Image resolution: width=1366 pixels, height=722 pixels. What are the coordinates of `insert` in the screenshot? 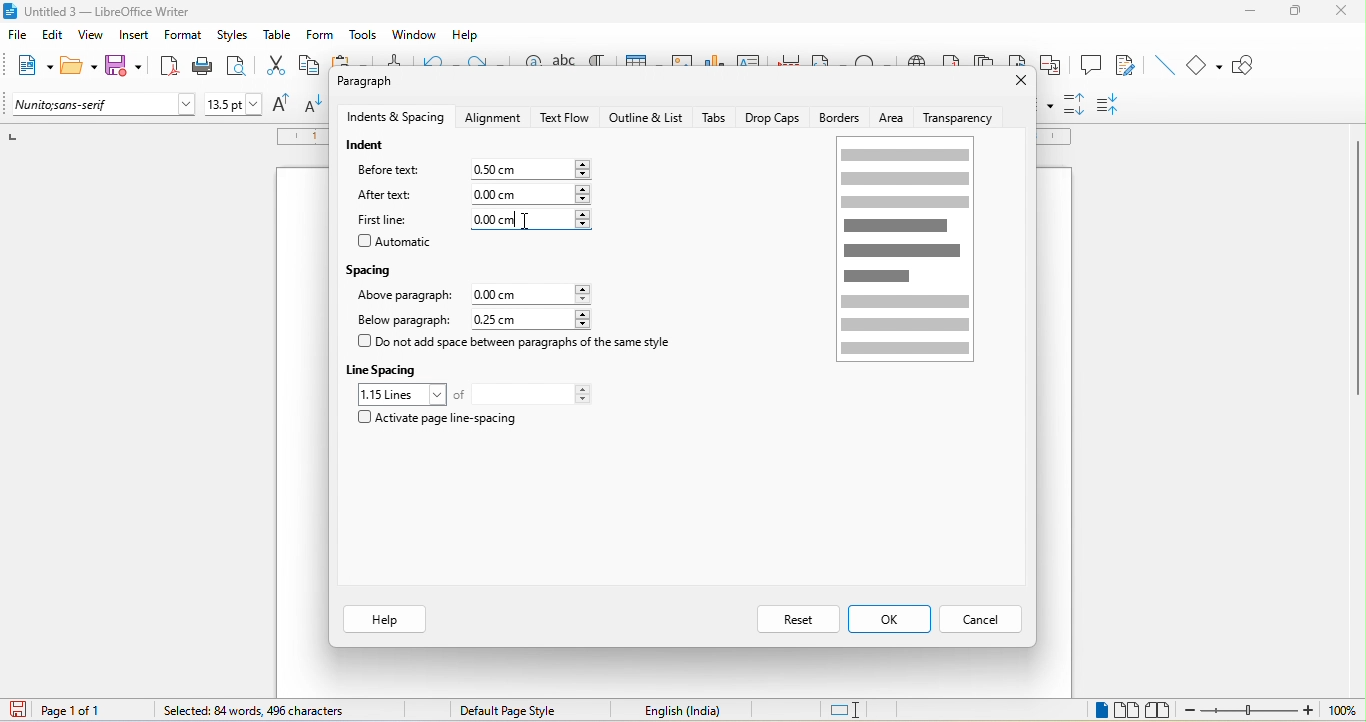 It's located at (134, 37).